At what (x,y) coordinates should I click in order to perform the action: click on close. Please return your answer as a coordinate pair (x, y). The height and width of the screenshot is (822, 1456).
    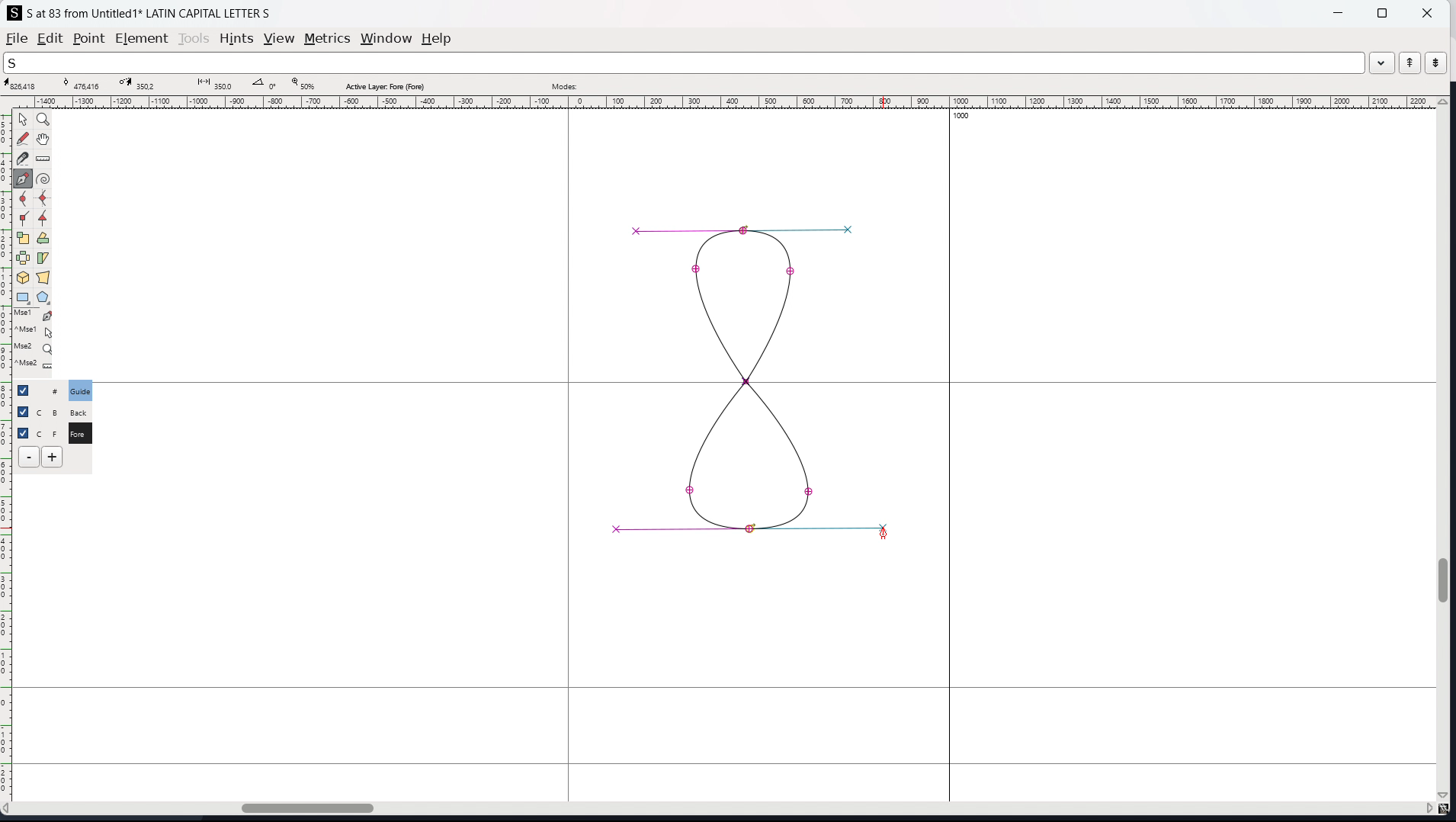
    Looking at the image, I should click on (1426, 12).